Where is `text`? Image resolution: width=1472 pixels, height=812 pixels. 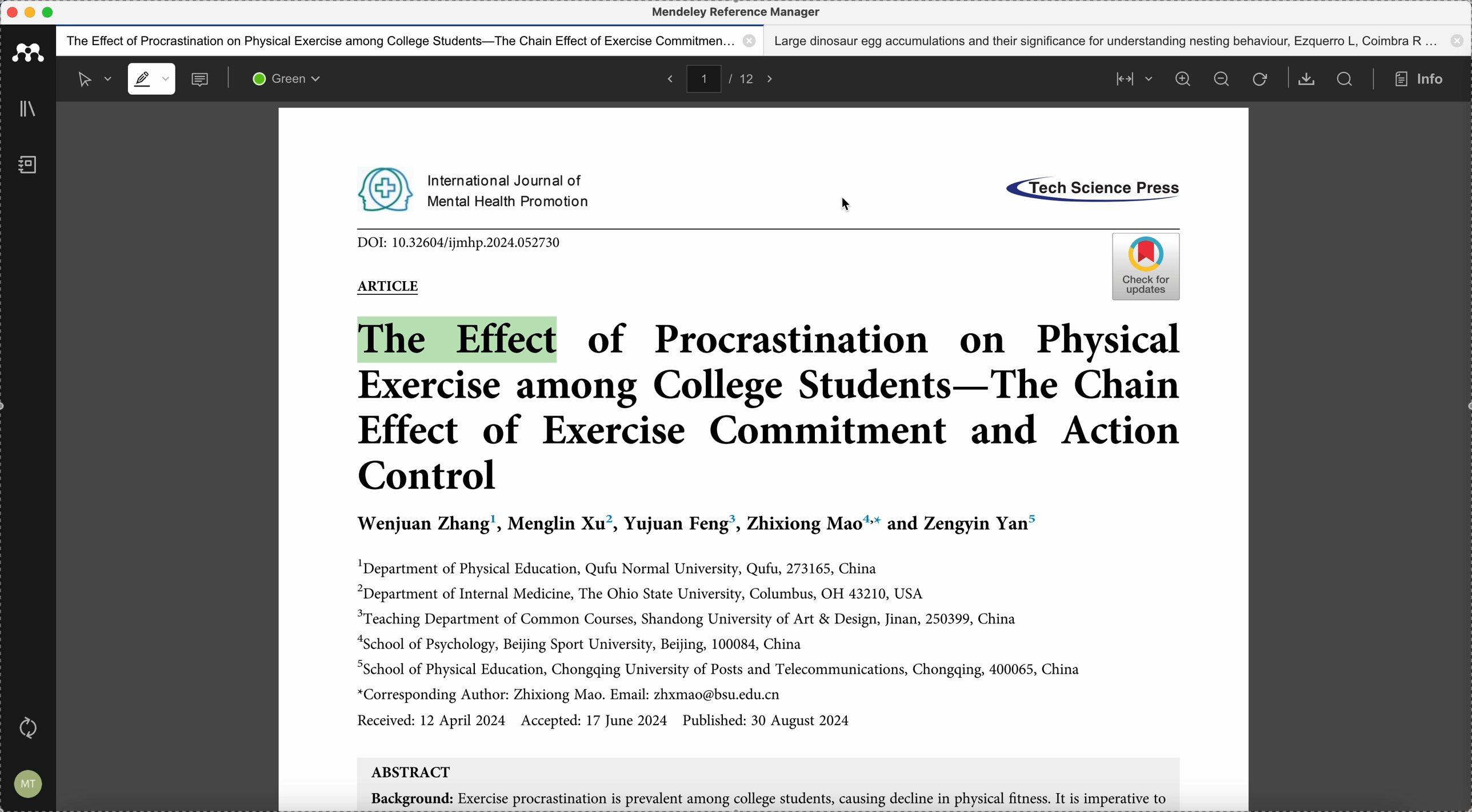 text is located at coordinates (1087, 188).